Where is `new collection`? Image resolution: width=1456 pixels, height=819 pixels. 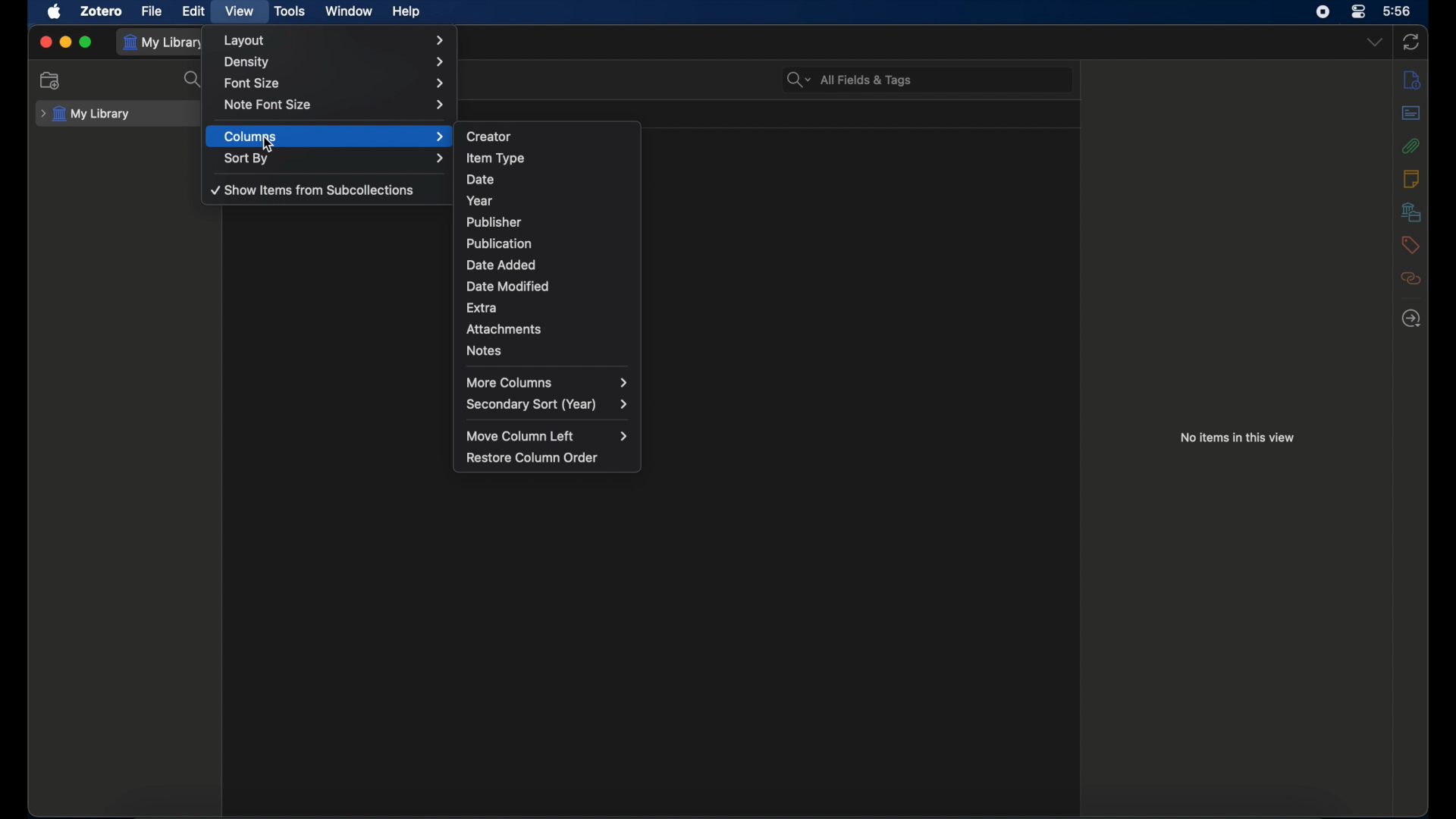
new collection is located at coordinates (51, 81).